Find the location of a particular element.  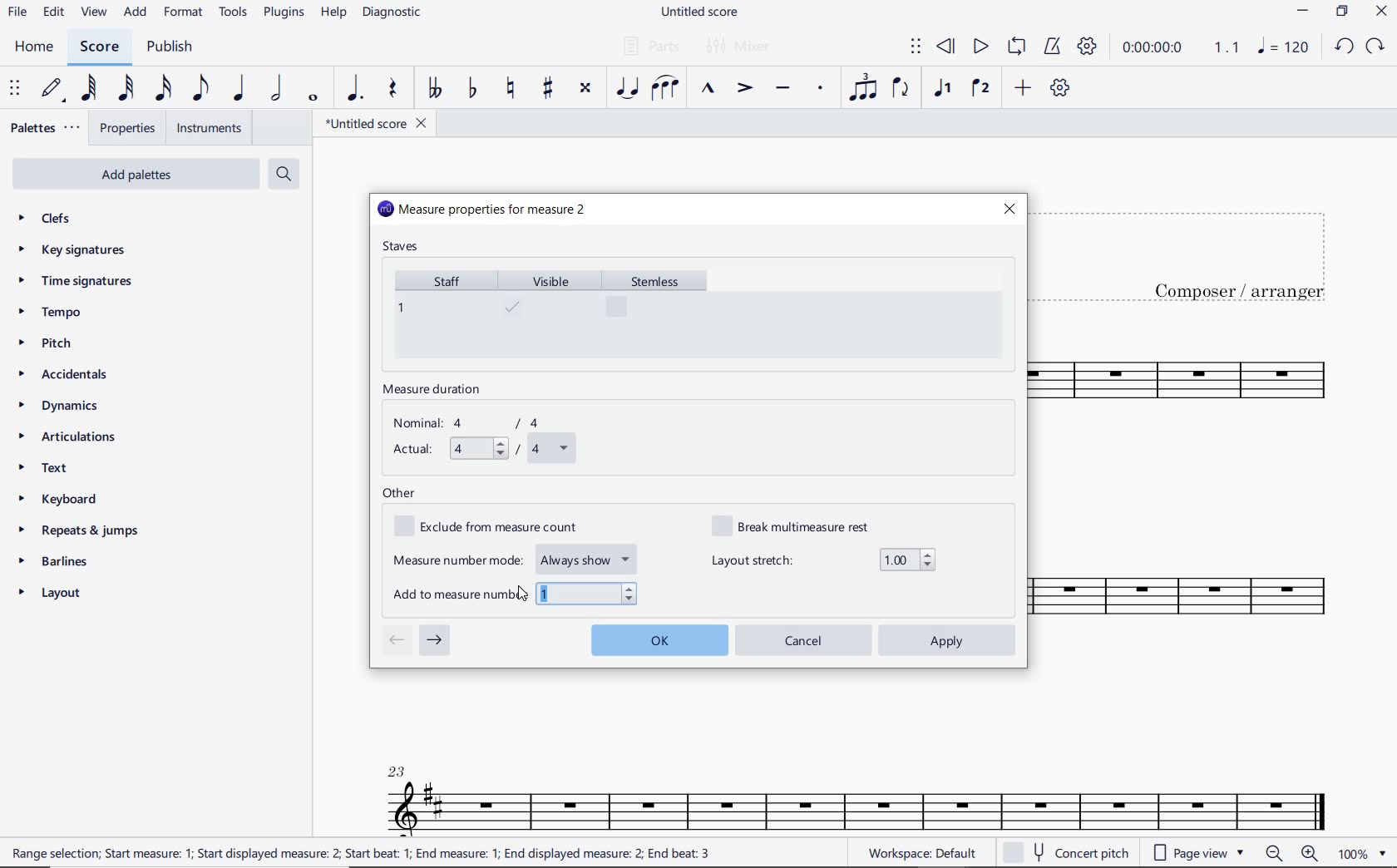

FILE NAME is located at coordinates (375, 123).